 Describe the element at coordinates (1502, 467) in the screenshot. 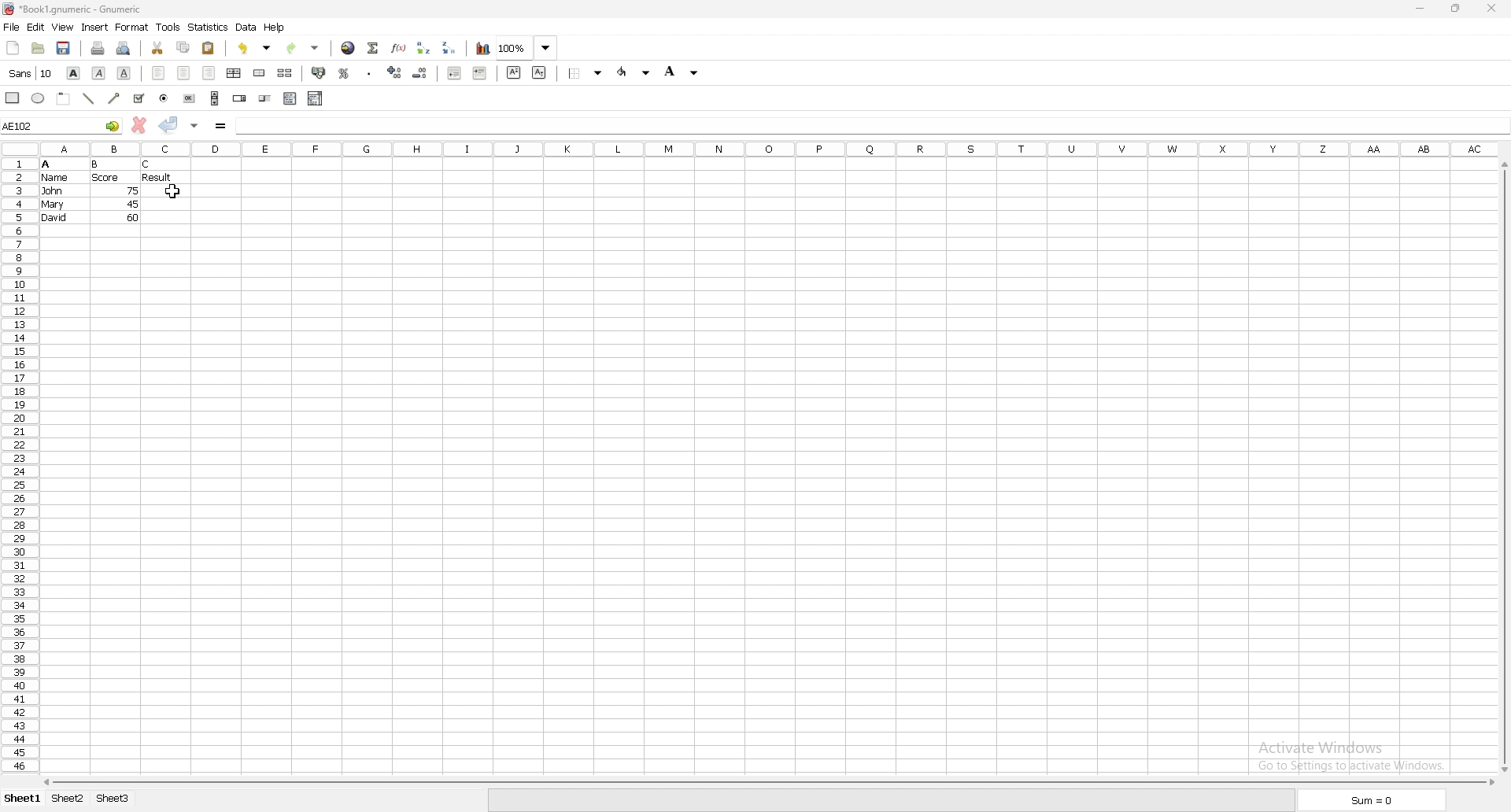

I see `scroll bar` at that location.